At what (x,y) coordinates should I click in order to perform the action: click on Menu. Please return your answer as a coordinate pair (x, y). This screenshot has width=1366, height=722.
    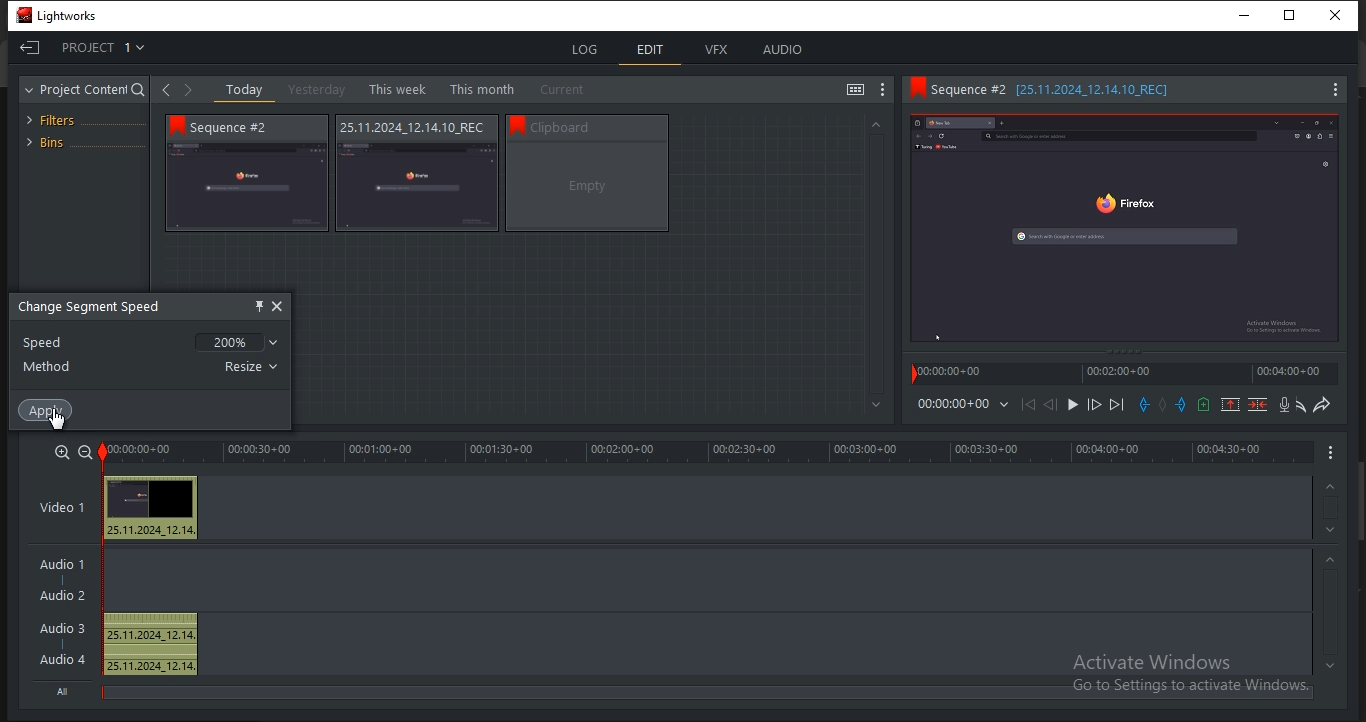
    Looking at the image, I should click on (1332, 453).